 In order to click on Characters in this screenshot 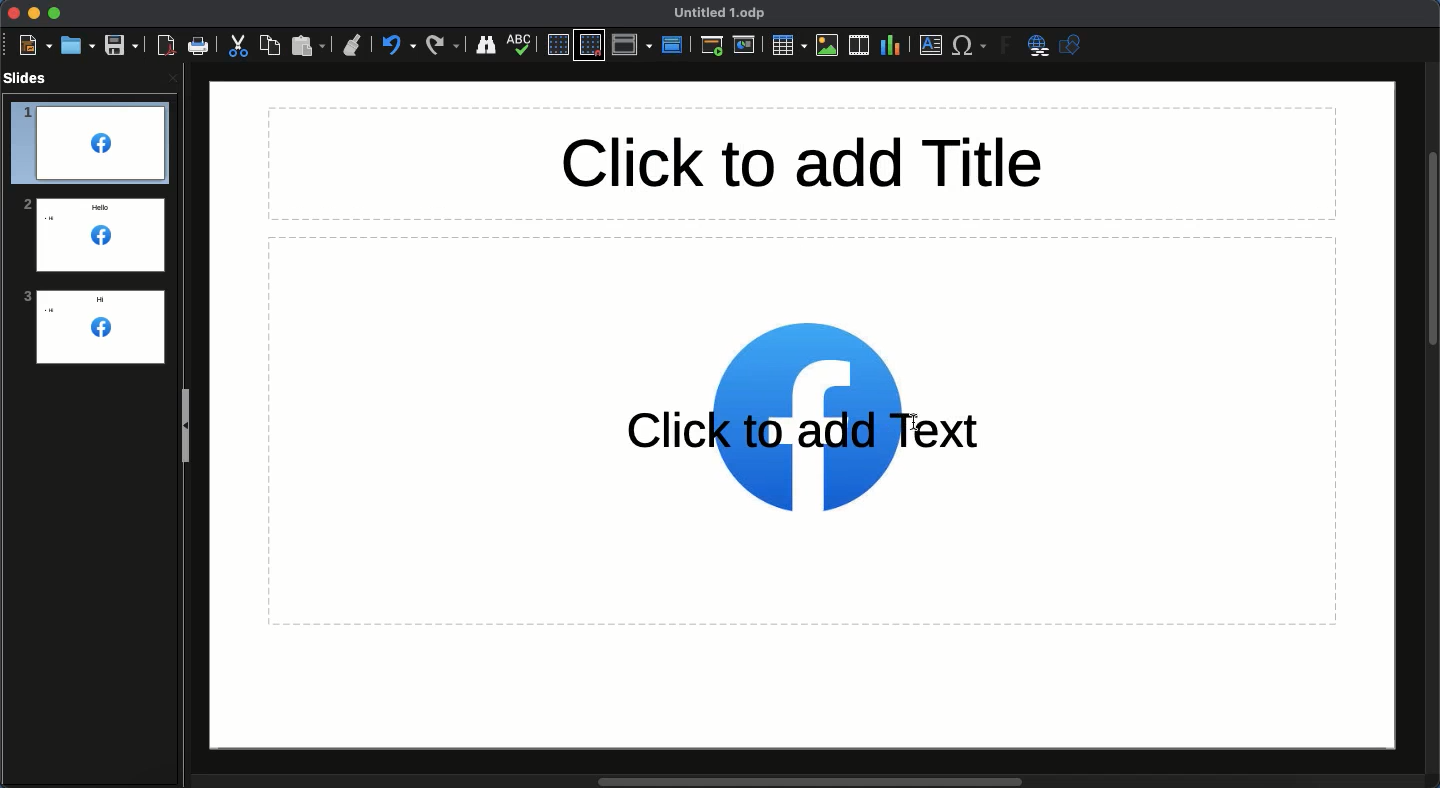, I will do `click(971, 47)`.